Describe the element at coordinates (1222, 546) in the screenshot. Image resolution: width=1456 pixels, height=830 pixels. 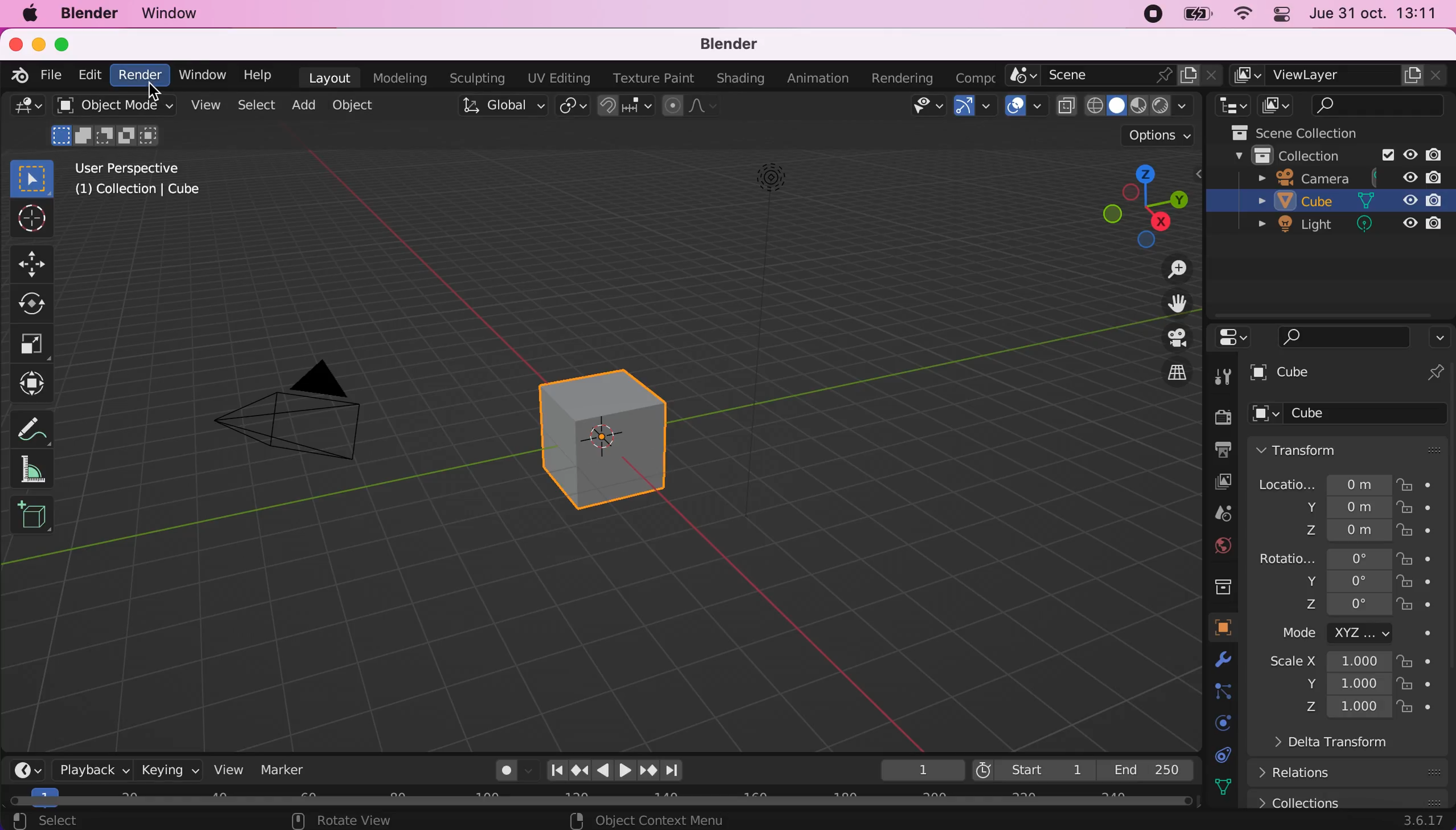
I see `world` at that location.